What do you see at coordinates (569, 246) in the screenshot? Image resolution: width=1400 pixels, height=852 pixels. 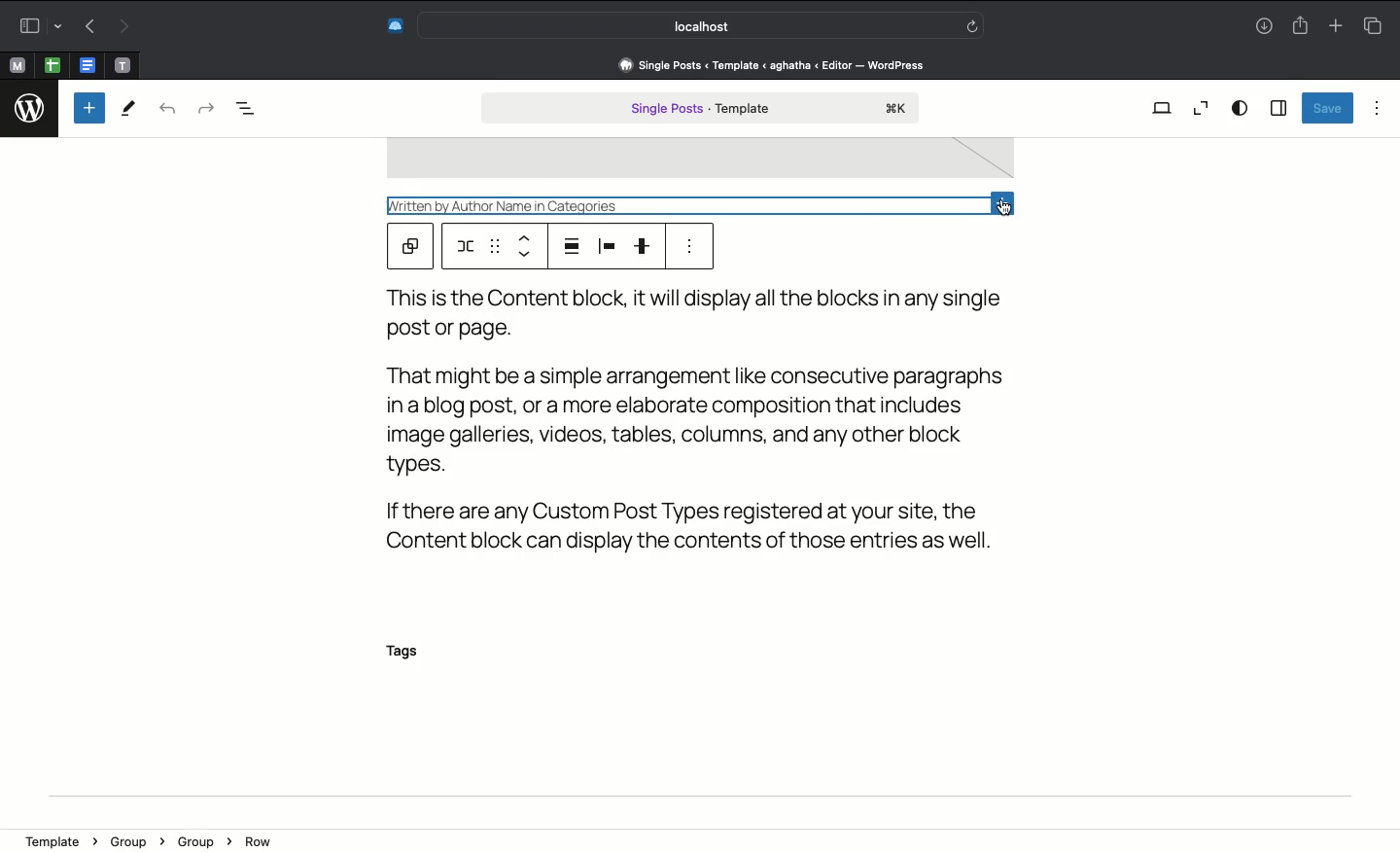 I see `Align` at bounding box center [569, 246].